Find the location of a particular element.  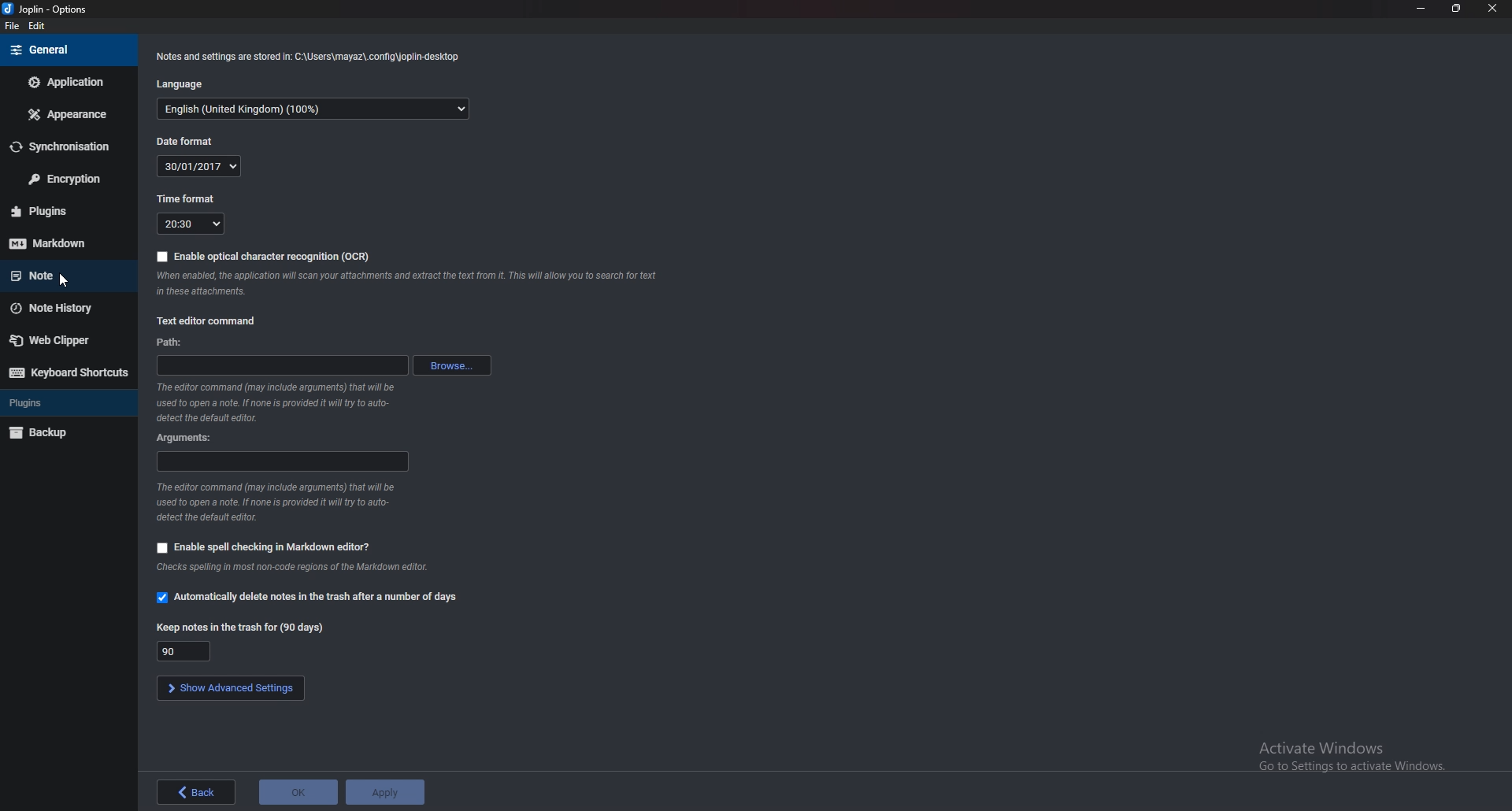

ok is located at coordinates (298, 792).